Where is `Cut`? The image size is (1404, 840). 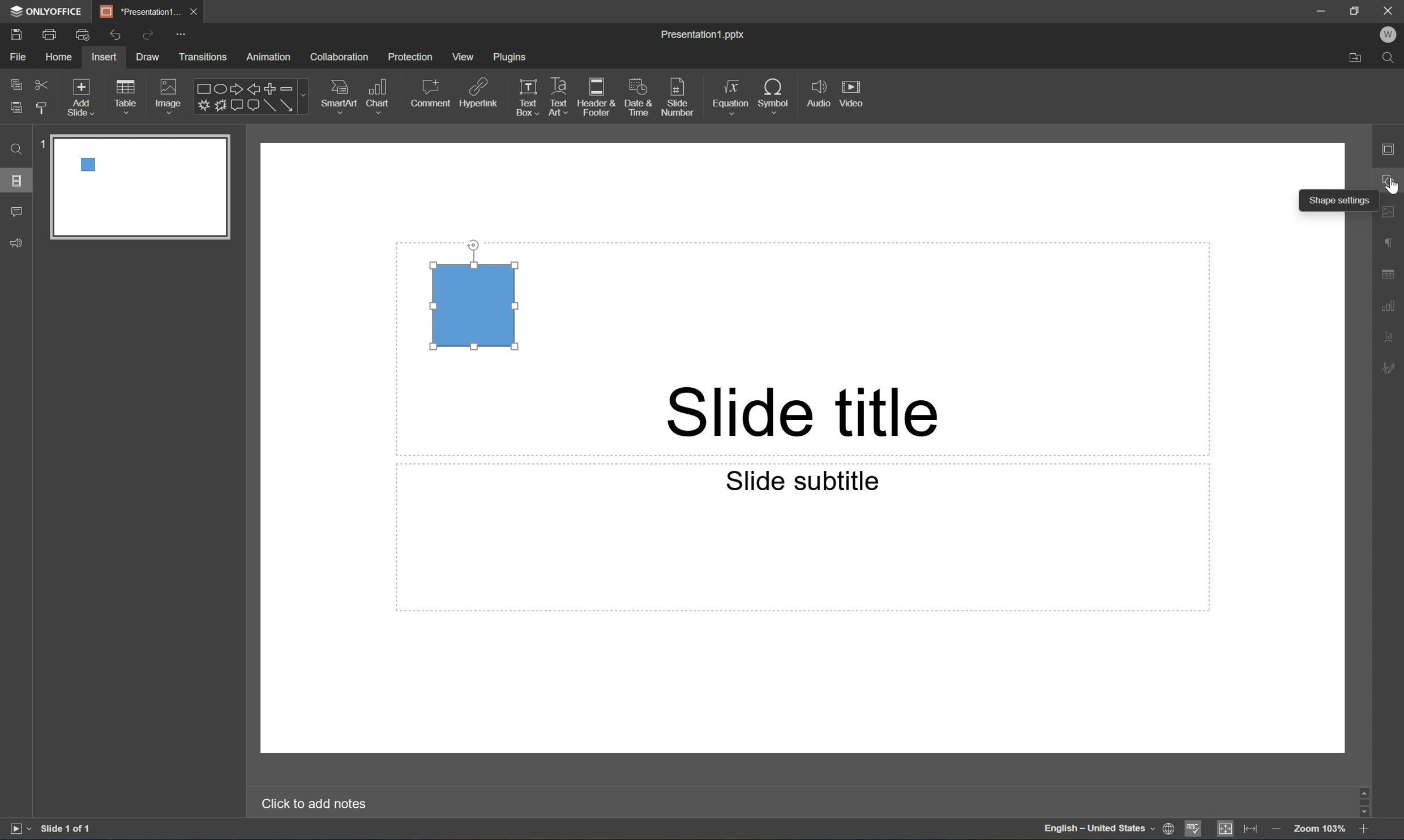
Cut is located at coordinates (42, 84).